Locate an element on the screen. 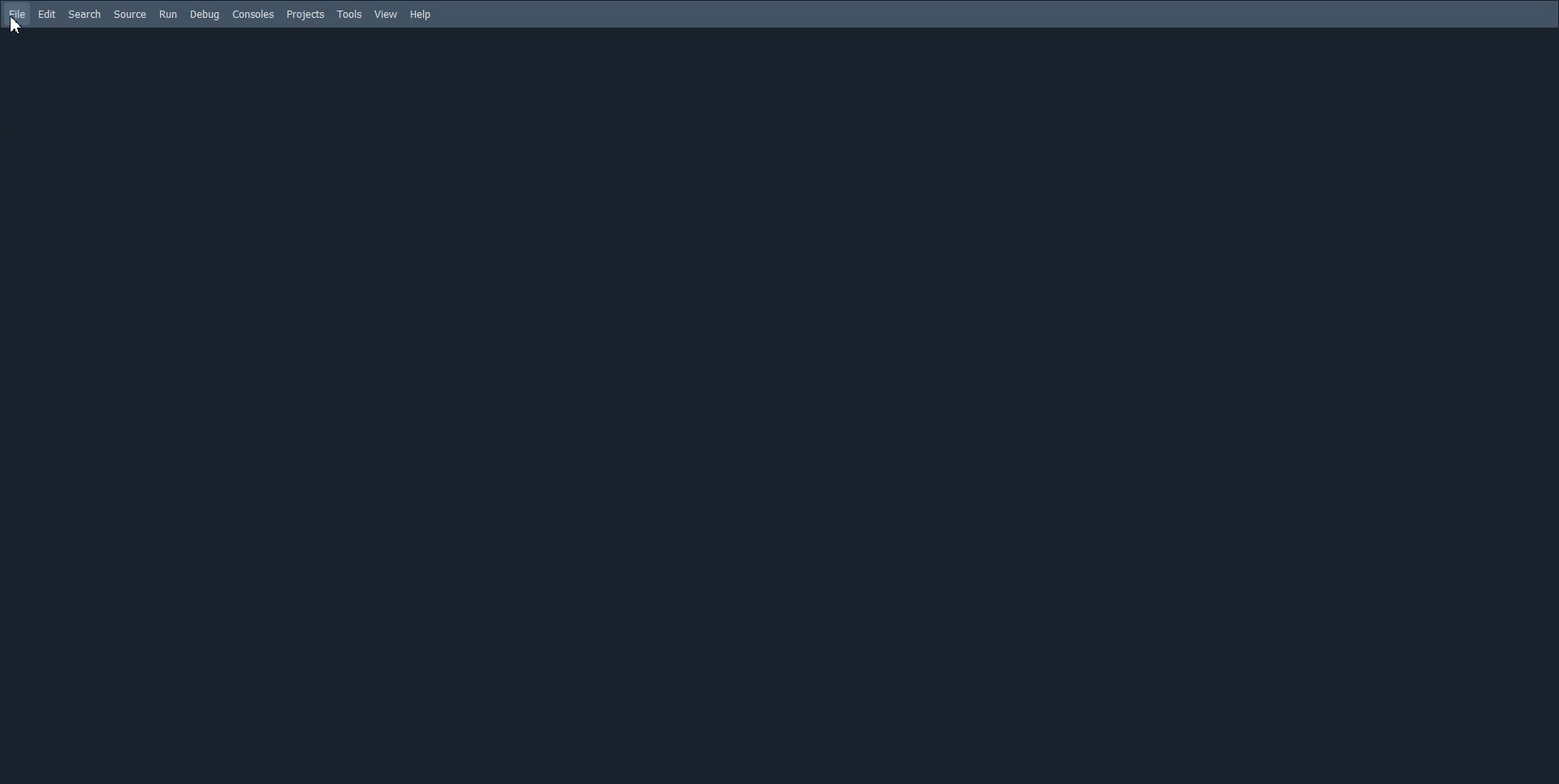  Debug is located at coordinates (204, 15).